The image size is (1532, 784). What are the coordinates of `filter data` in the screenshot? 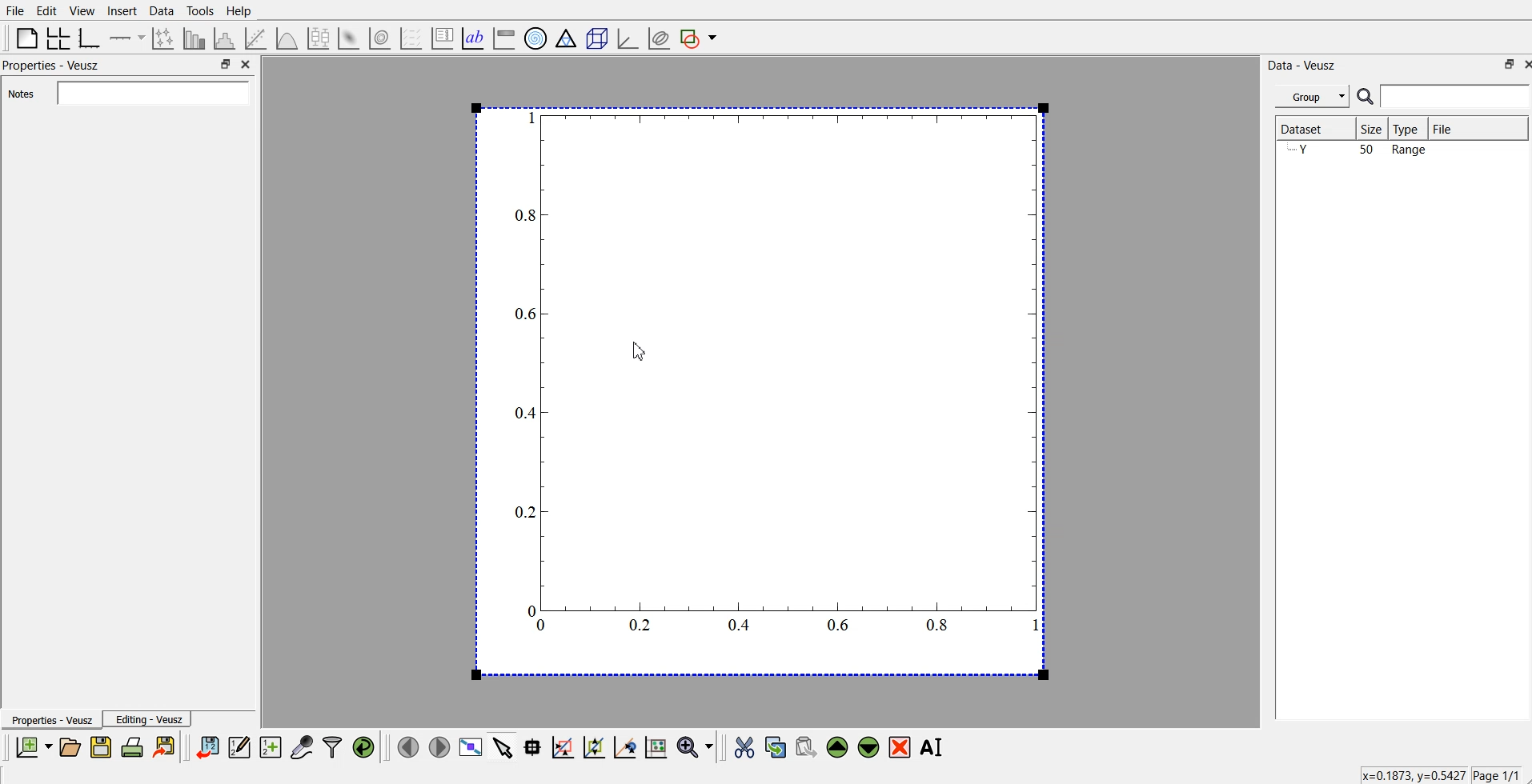 It's located at (332, 747).